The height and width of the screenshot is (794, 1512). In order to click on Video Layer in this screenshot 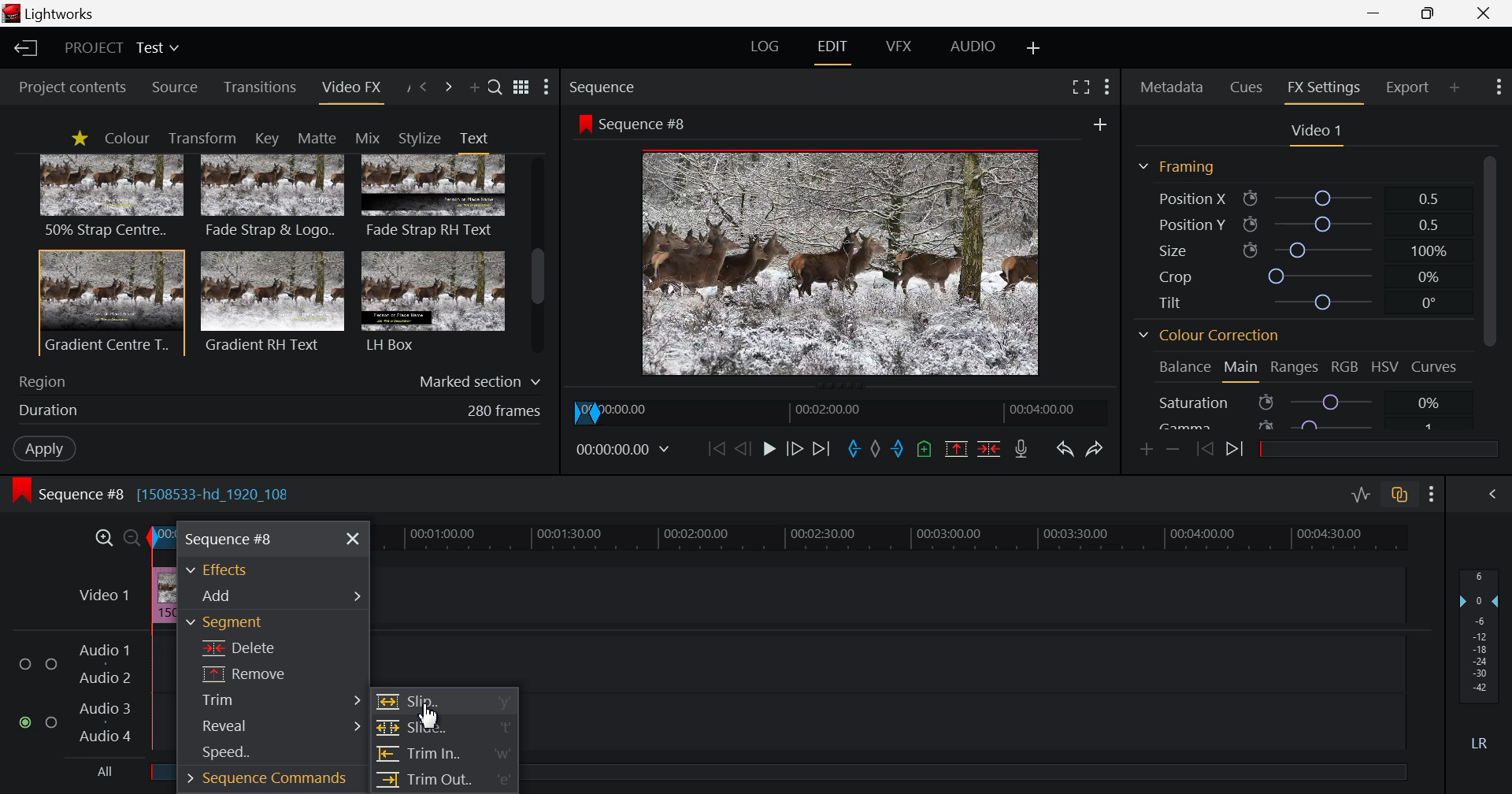, I will do `click(102, 592)`.